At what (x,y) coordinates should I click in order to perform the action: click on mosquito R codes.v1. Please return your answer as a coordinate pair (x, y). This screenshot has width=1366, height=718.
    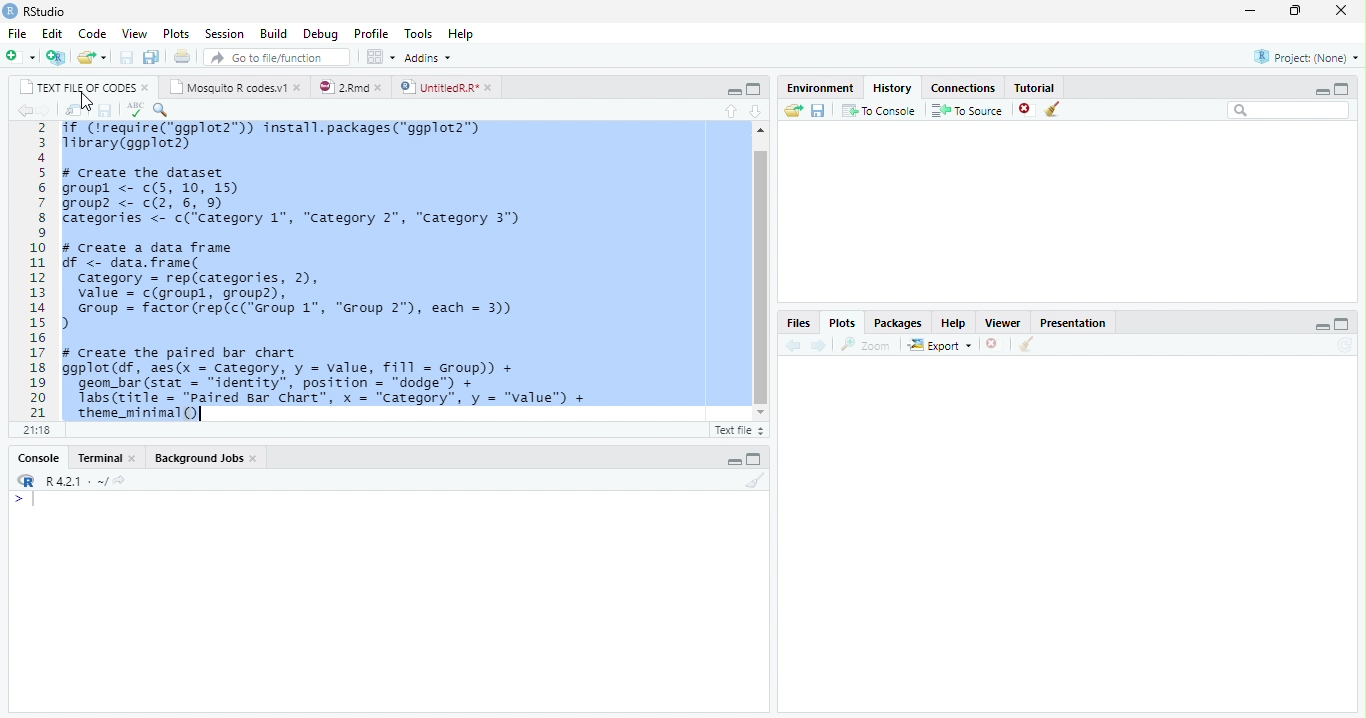
    Looking at the image, I should click on (230, 87).